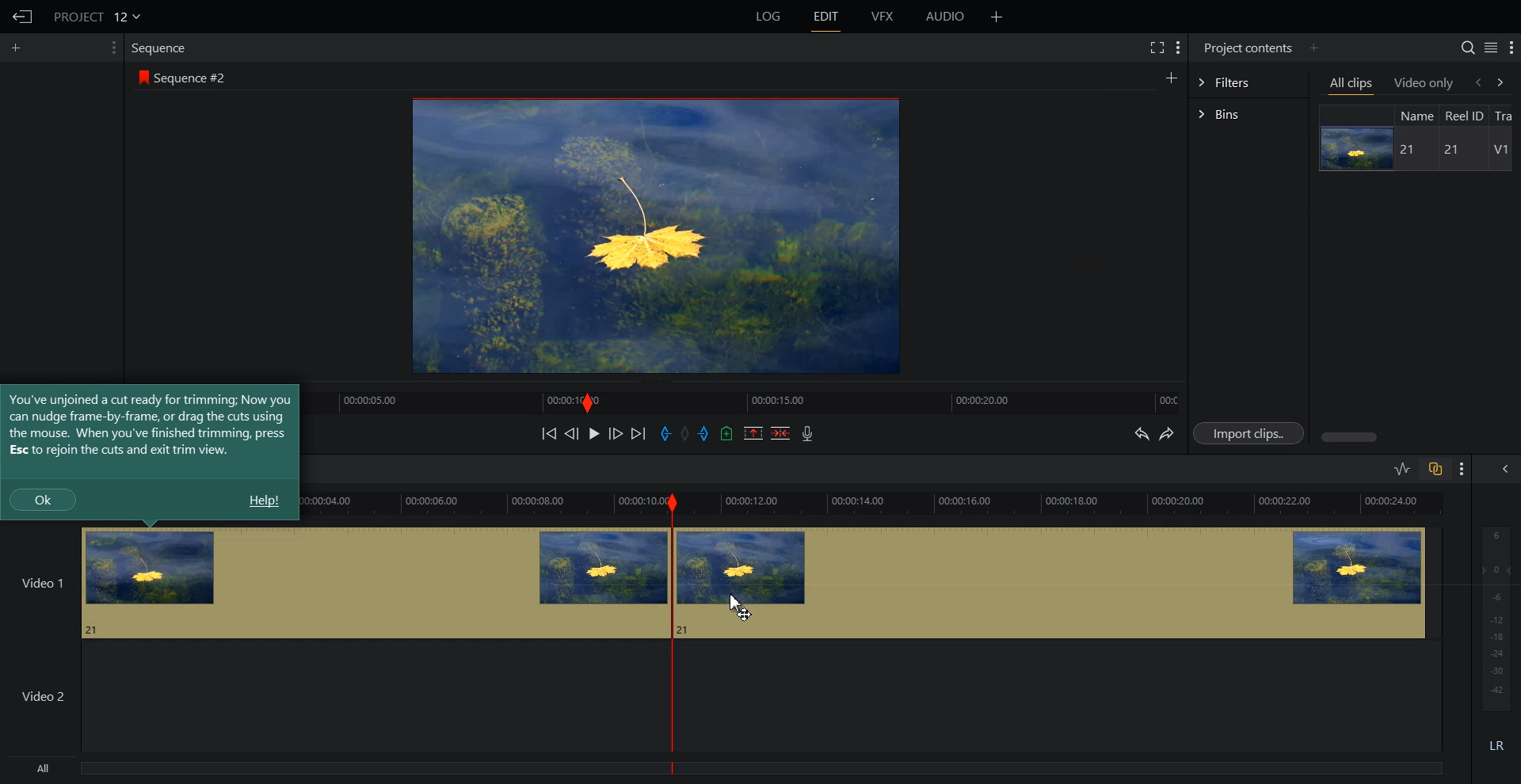 Image resolution: width=1521 pixels, height=784 pixels. I want to click on Cursor, so click(741, 606).